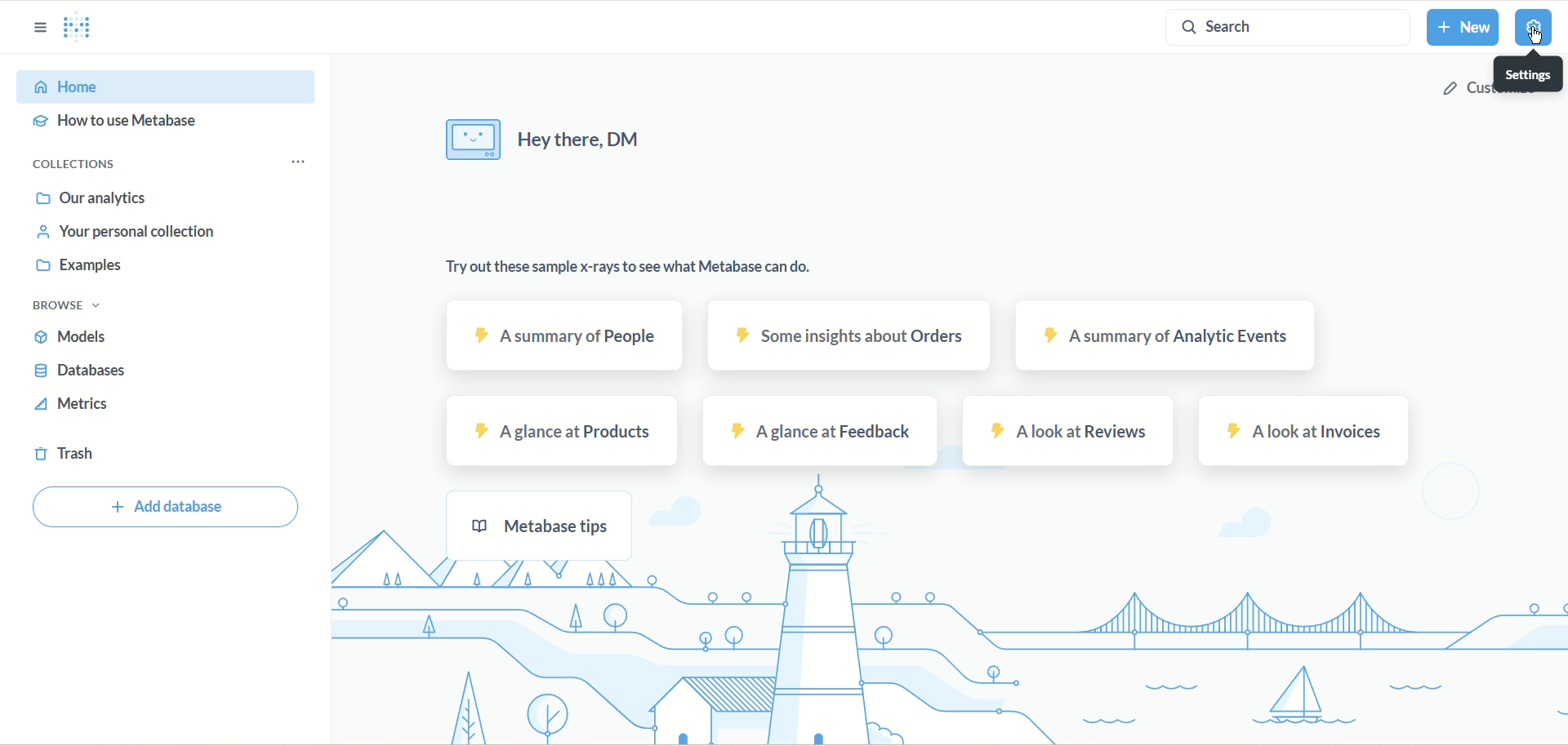  What do you see at coordinates (1537, 30) in the screenshot?
I see `Settings` at bounding box center [1537, 30].